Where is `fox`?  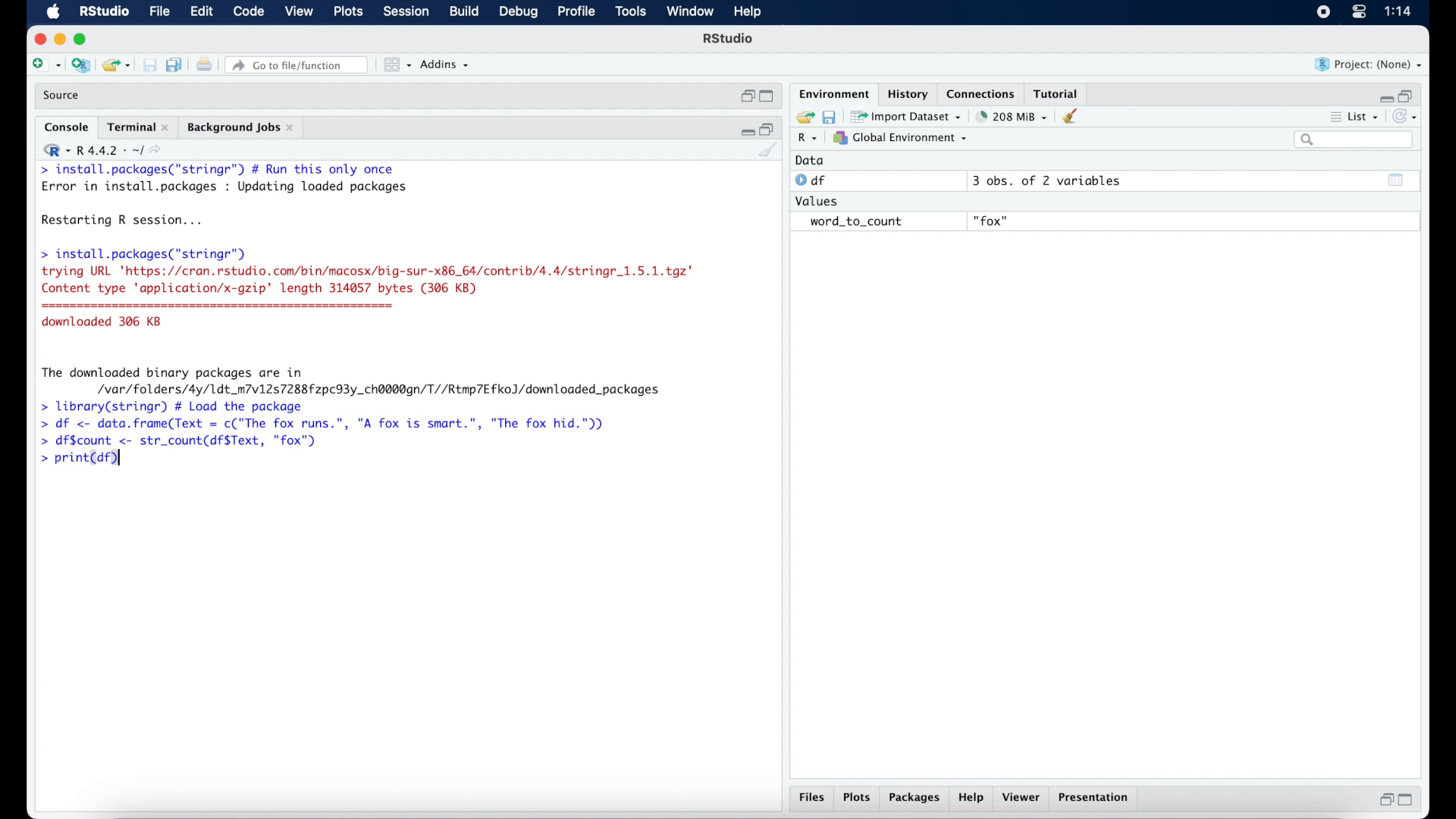
fox is located at coordinates (992, 221).